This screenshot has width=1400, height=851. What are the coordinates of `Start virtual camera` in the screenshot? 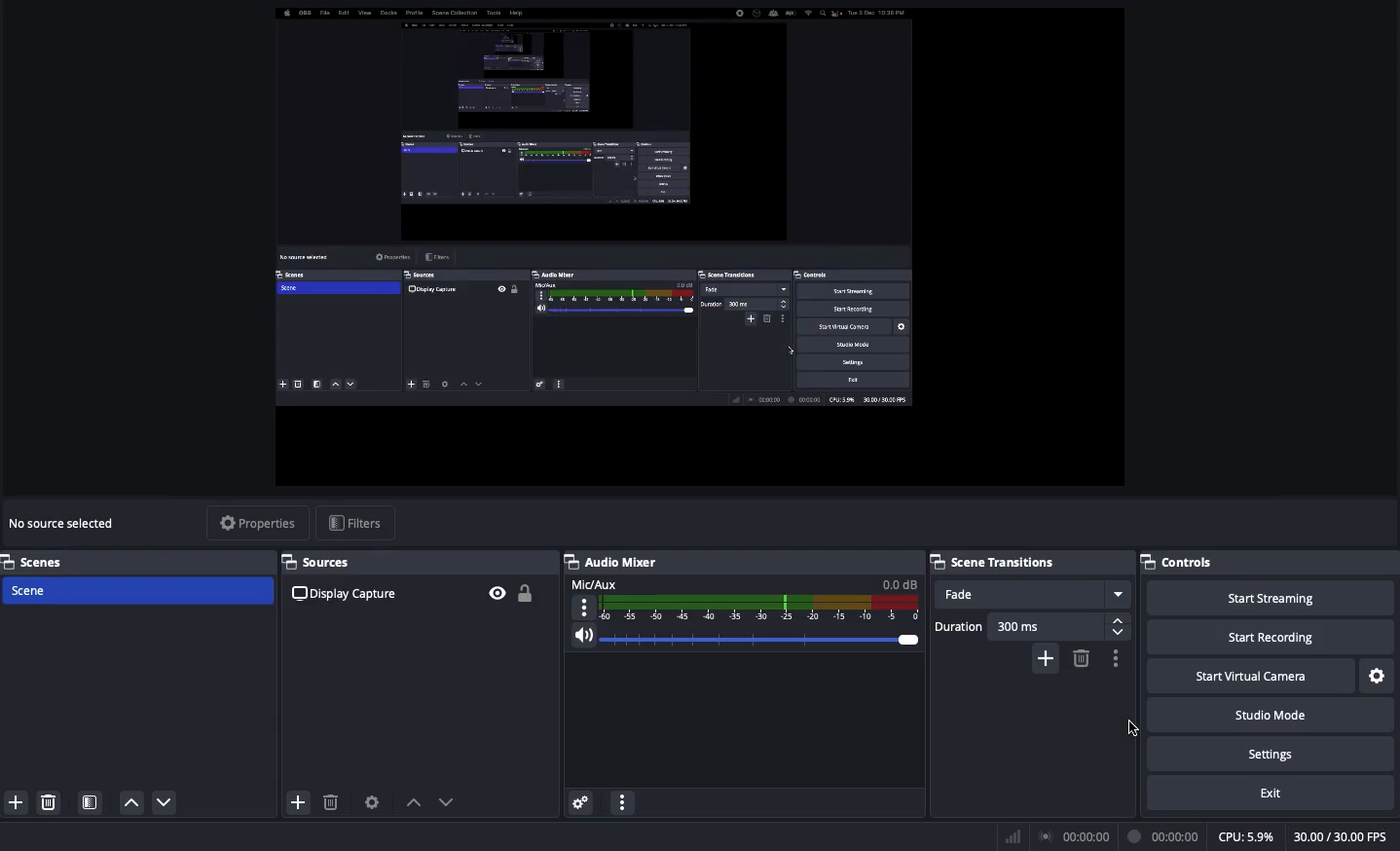 It's located at (1264, 678).